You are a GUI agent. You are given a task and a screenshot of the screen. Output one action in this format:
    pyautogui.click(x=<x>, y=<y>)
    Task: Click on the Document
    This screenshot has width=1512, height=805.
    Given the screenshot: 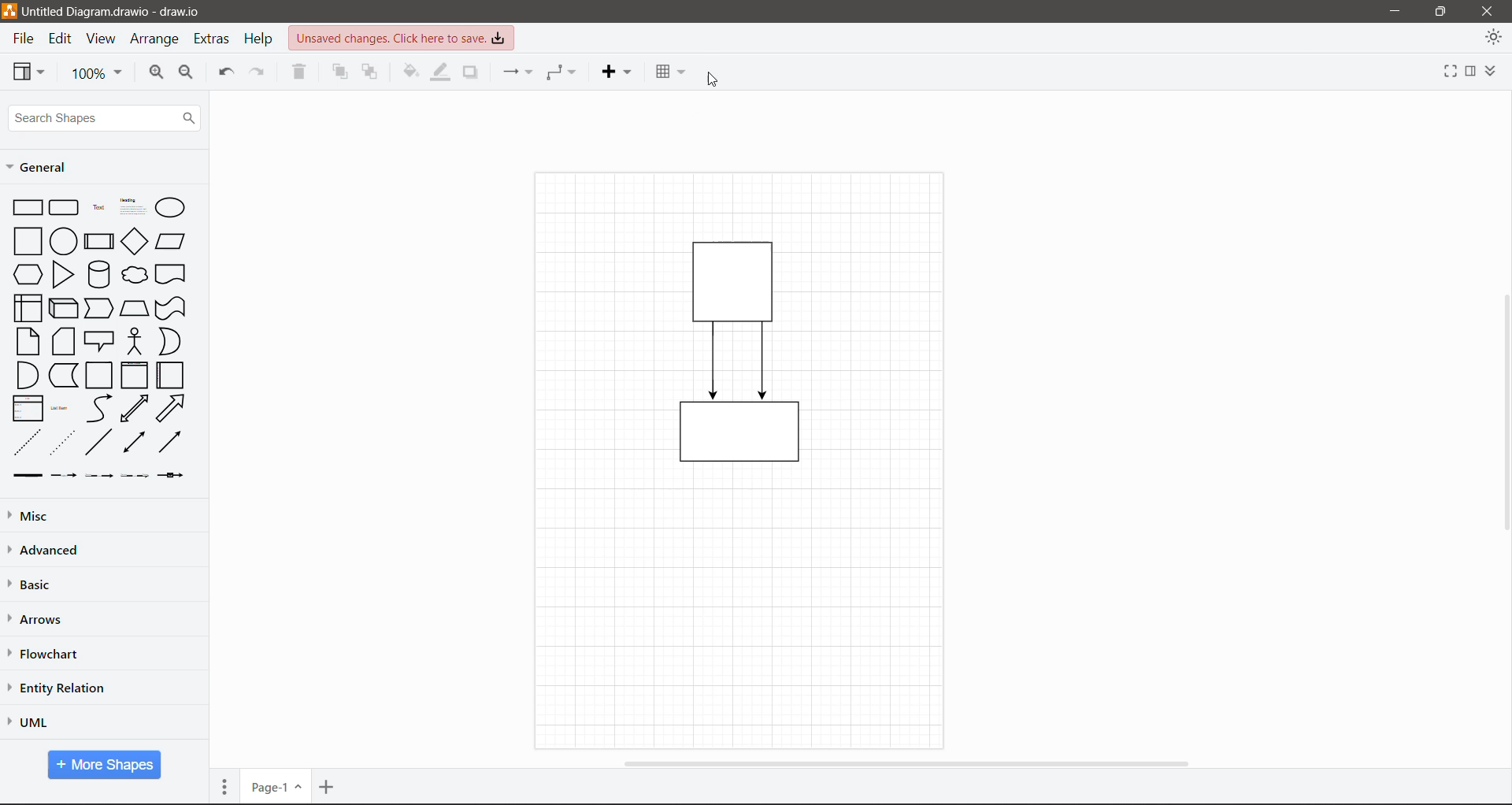 What is the action you would take?
    pyautogui.click(x=172, y=274)
    